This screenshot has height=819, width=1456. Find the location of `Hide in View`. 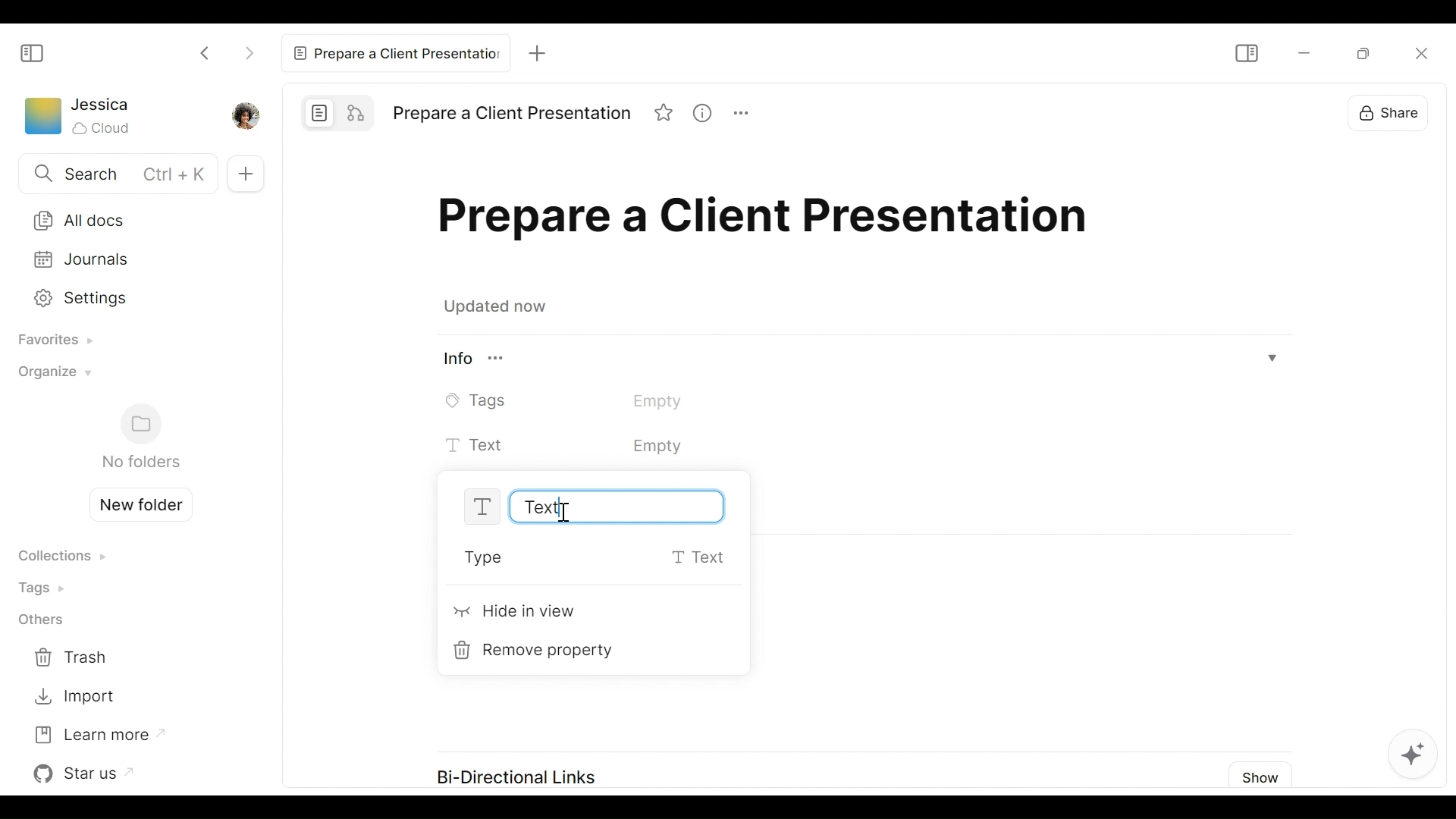

Hide in View is located at coordinates (516, 614).